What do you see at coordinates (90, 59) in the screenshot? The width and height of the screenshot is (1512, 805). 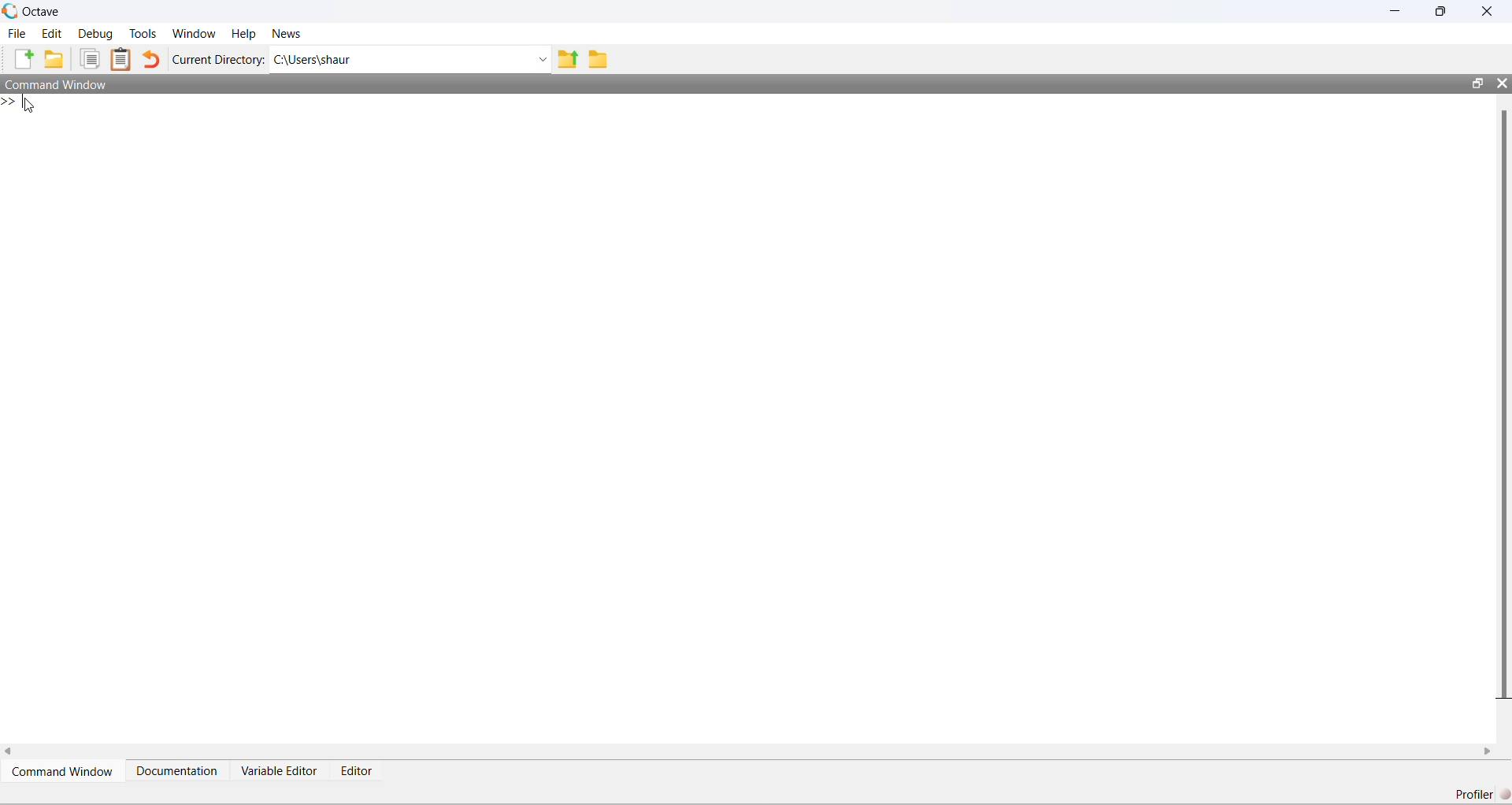 I see `Copy` at bounding box center [90, 59].